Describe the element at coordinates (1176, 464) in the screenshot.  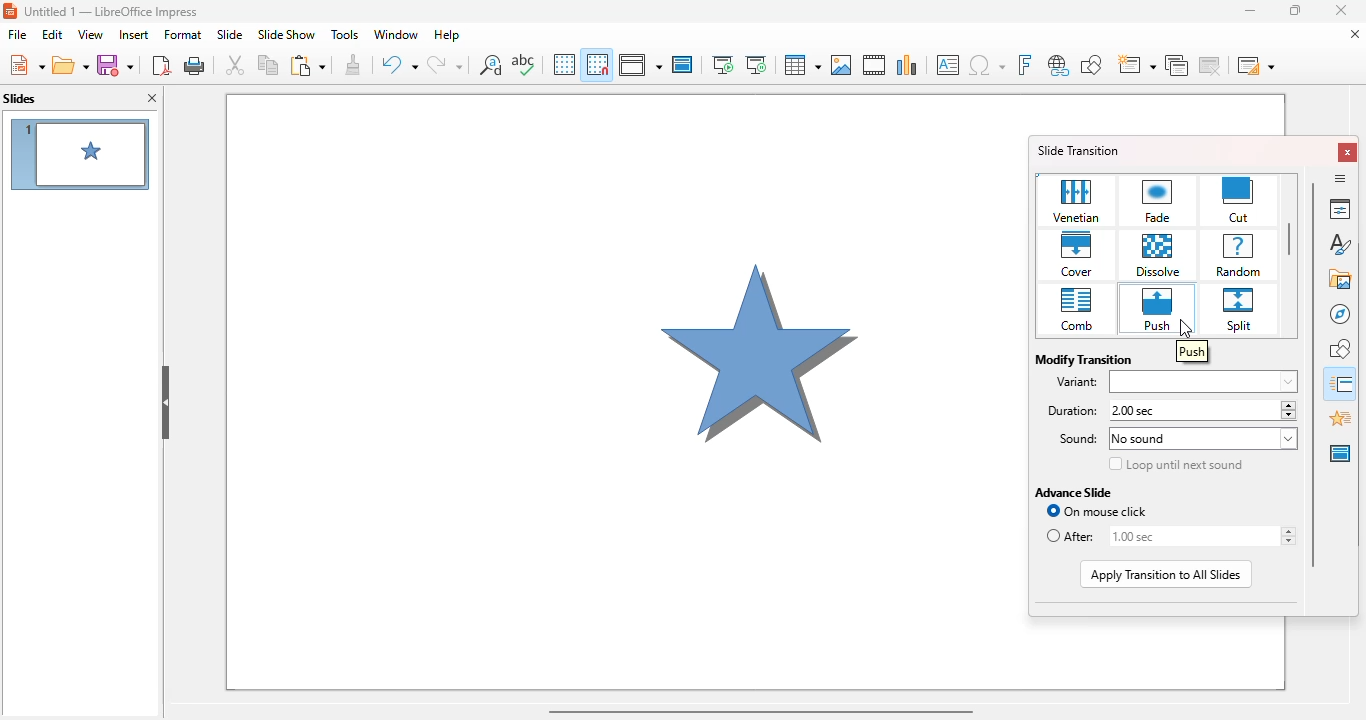
I see `loop until next sound` at that location.